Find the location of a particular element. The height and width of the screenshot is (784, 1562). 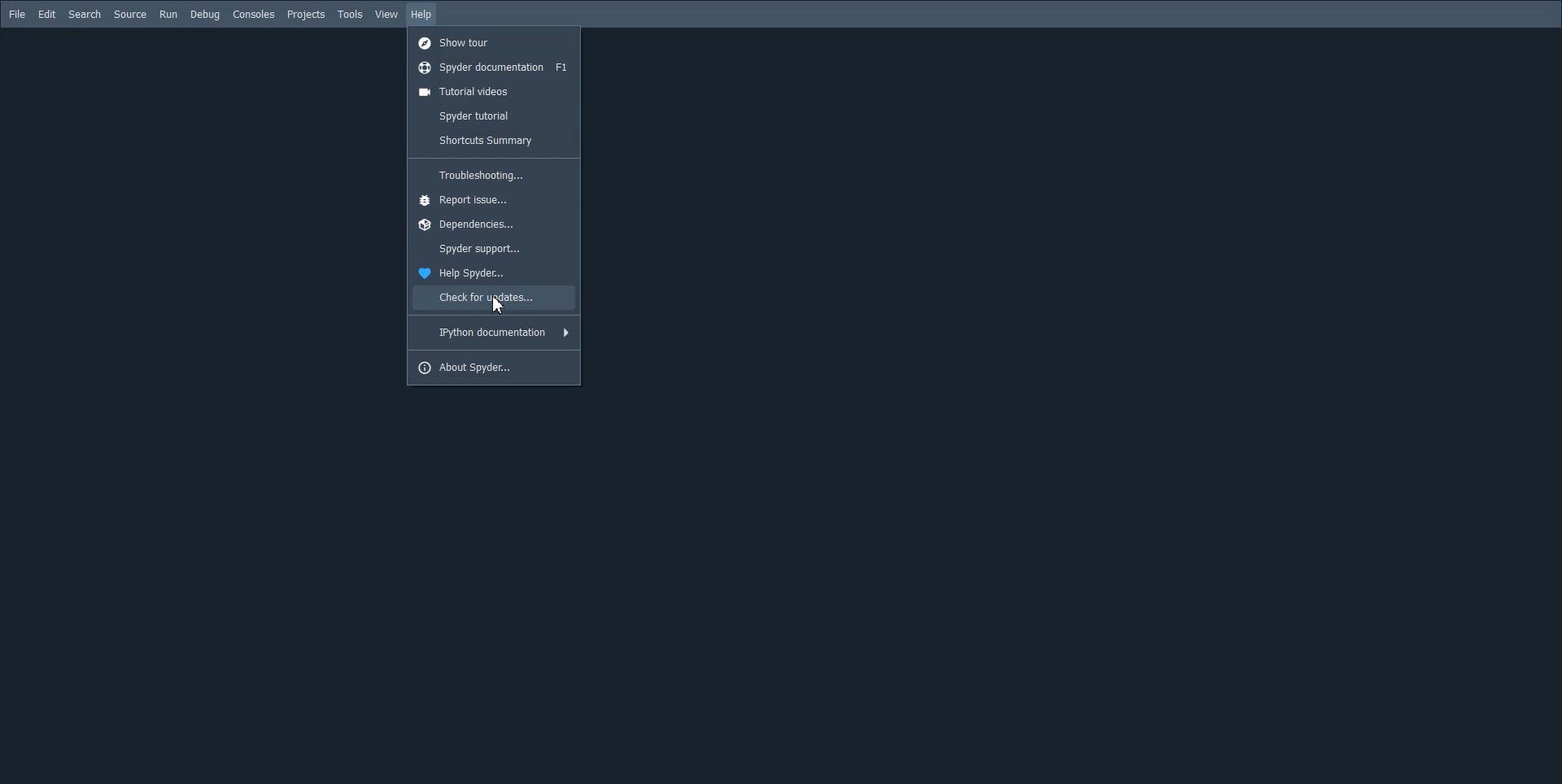

Tools is located at coordinates (351, 15).